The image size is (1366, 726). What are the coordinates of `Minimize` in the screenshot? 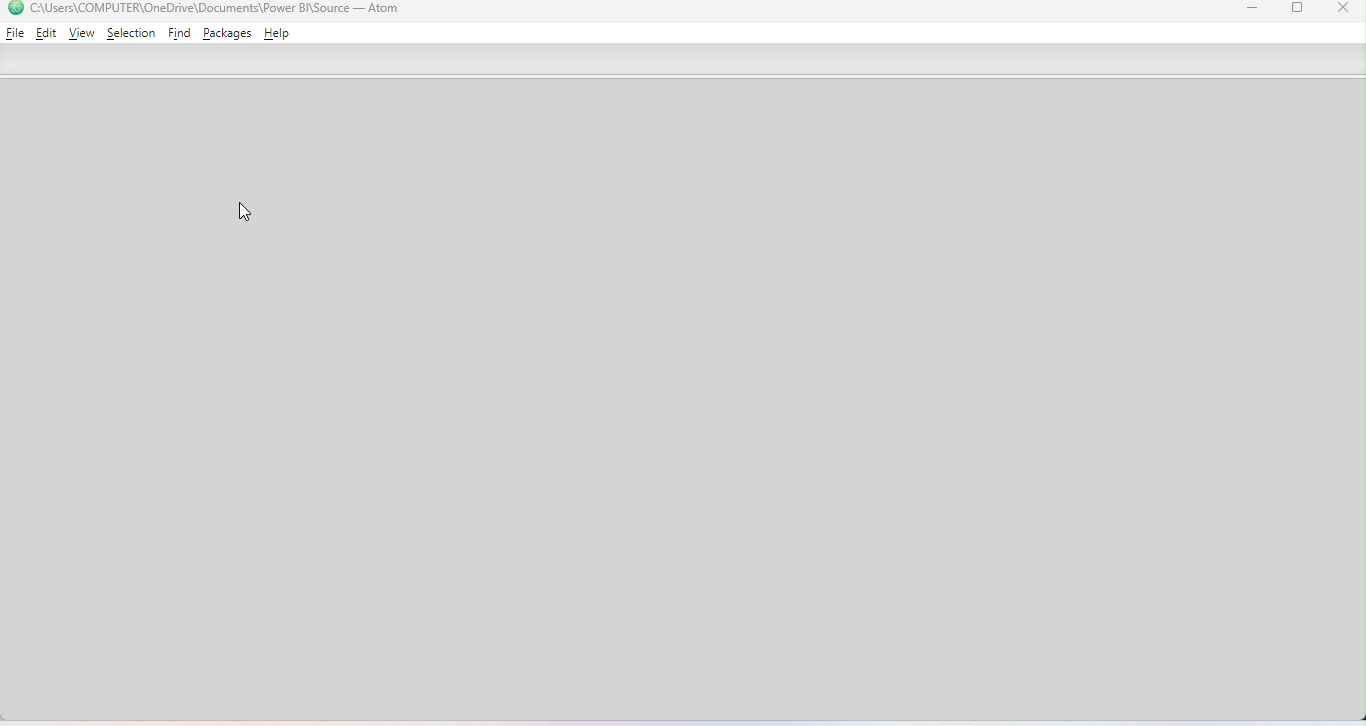 It's located at (1247, 11).